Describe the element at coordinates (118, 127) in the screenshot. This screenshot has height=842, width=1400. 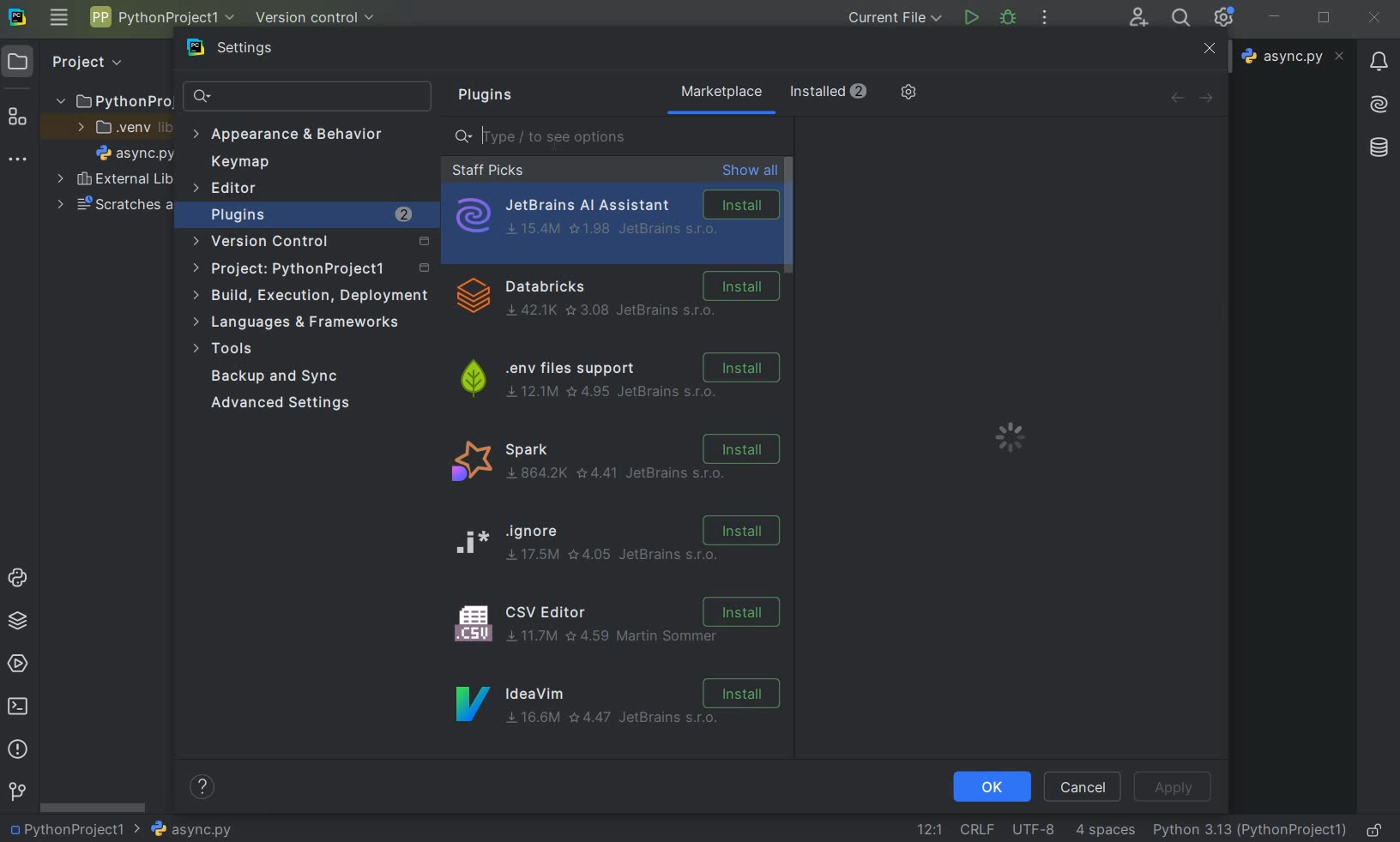
I see `.venv` at that location.